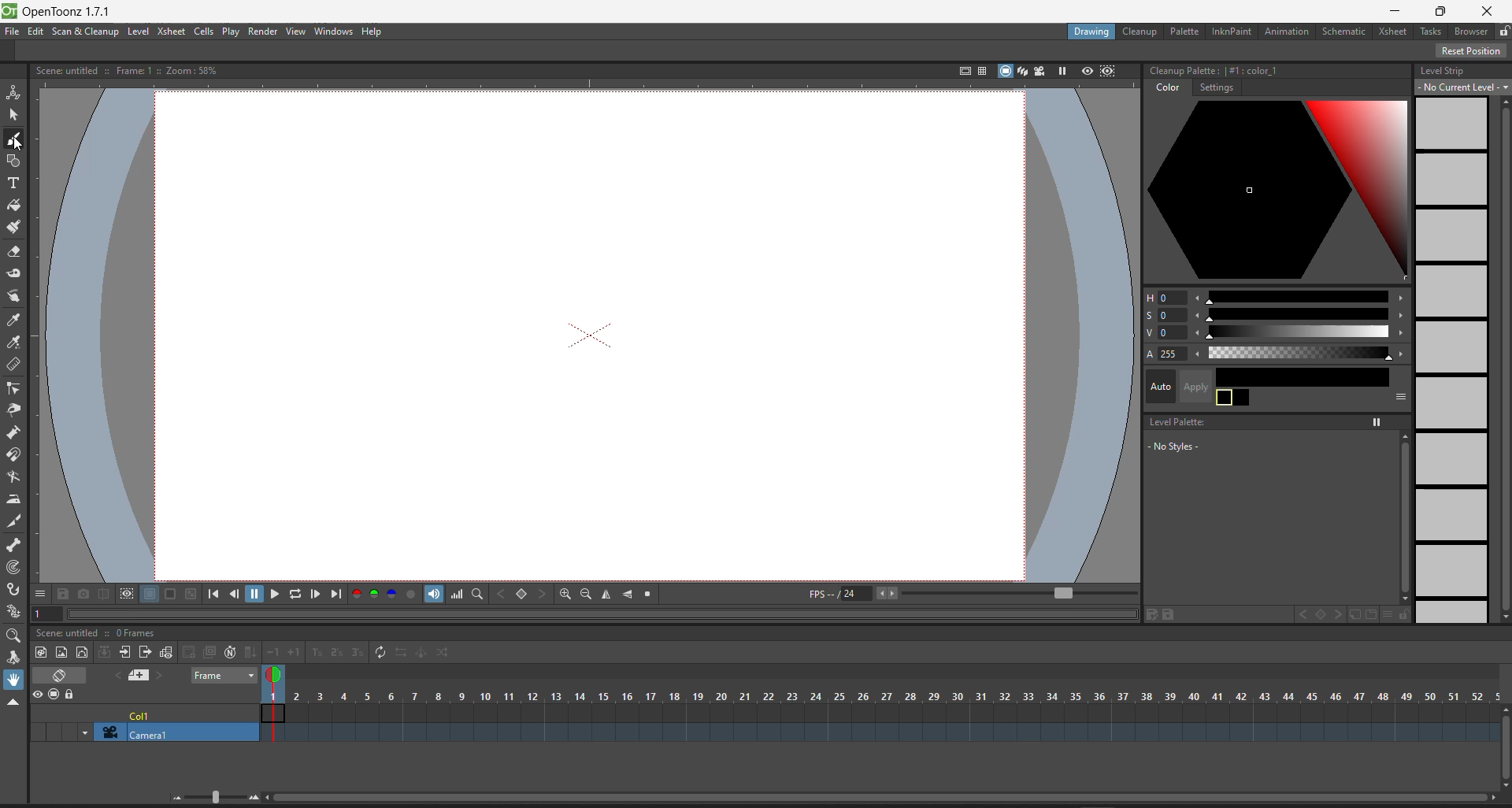 The width and height of the screenshot is (1512, 808). What do you see at coordinates (598, 332) in the screenshot?
I see `working area` at bounding box center [598, 332].